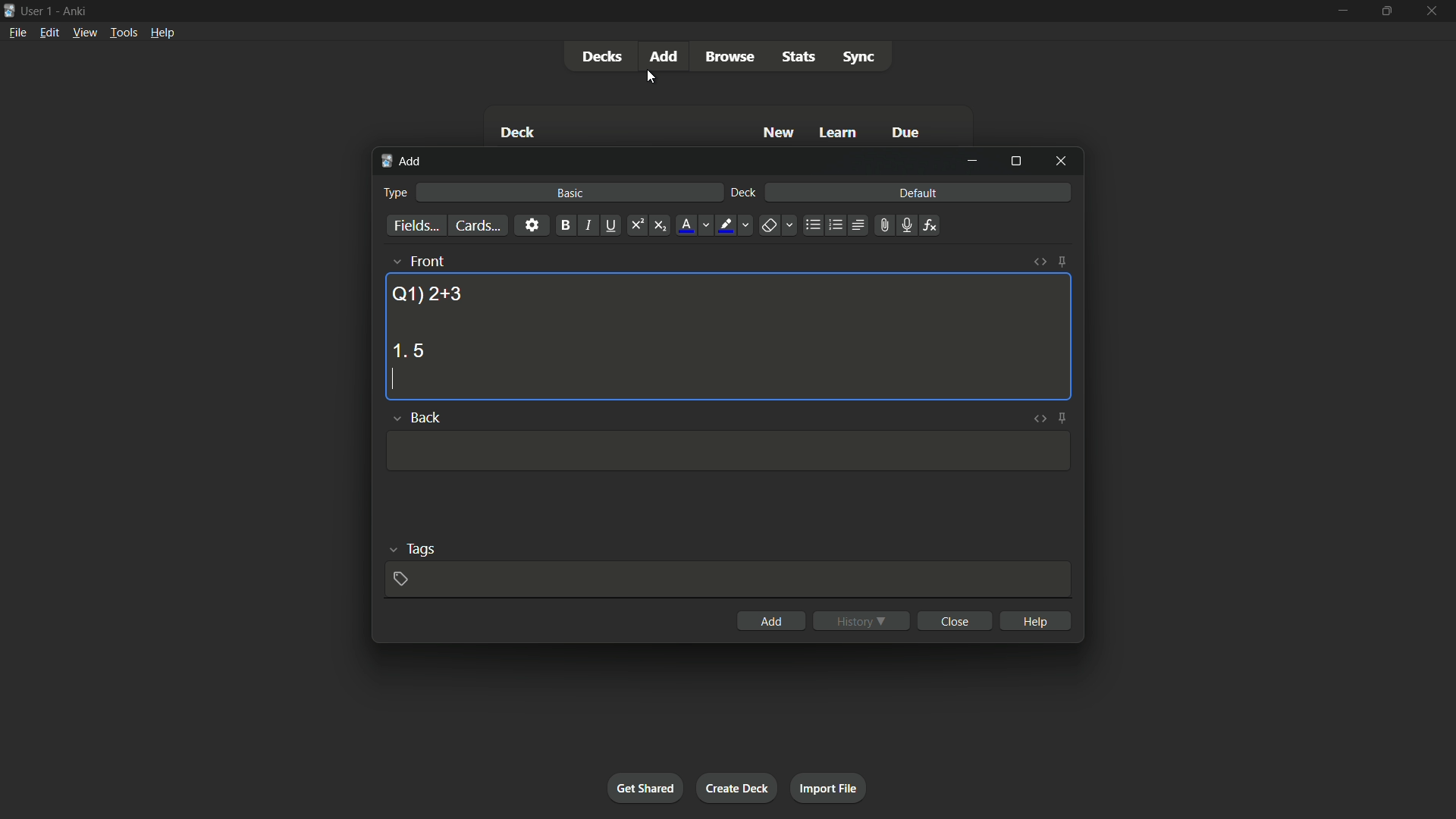 This screenshot has width=1456, height=819. Describe the element at coordinates (565, 226) in the screenshot. I see `bold` at that location.